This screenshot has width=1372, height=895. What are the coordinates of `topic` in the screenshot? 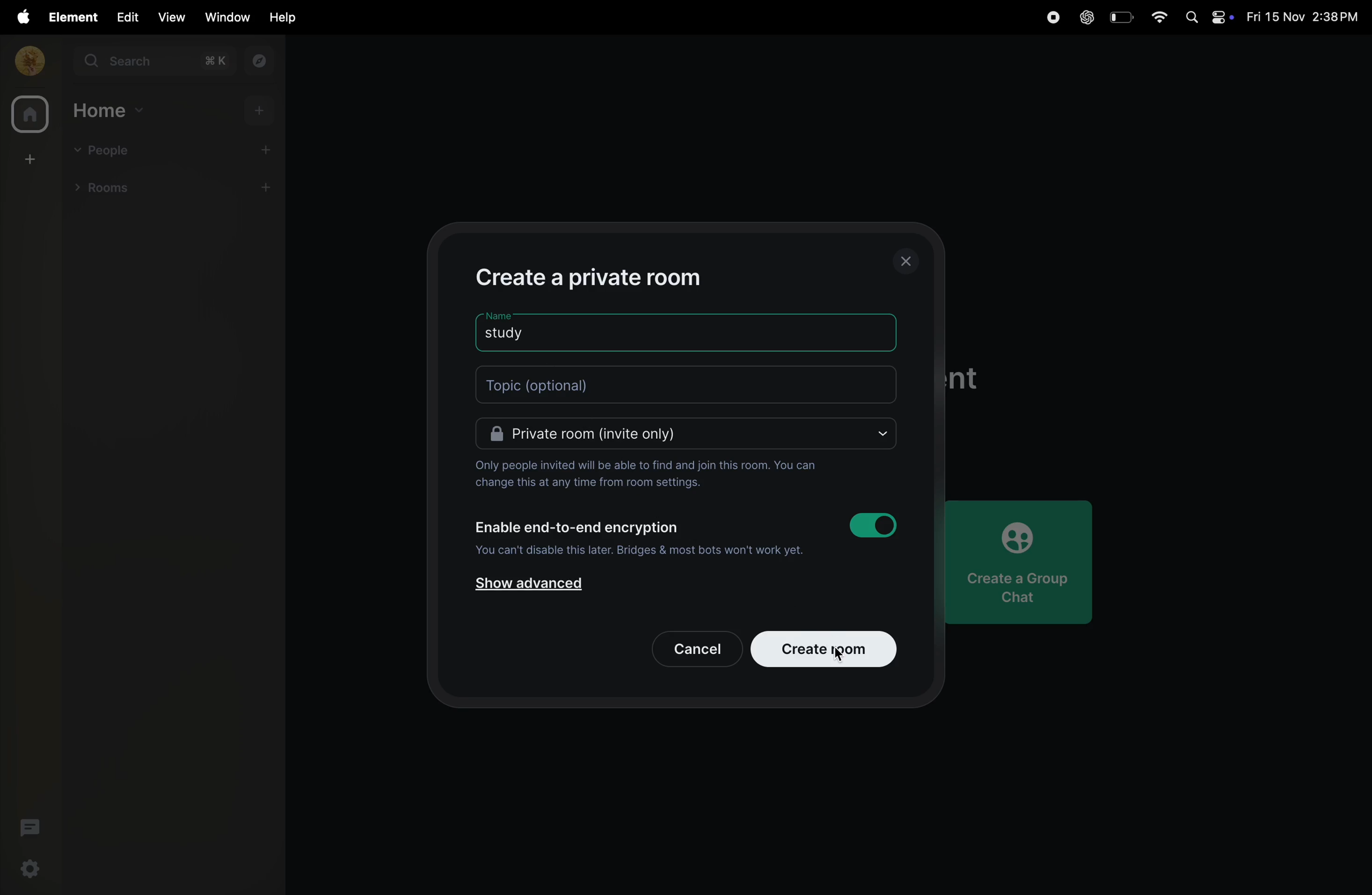 It's located at (689, 385).